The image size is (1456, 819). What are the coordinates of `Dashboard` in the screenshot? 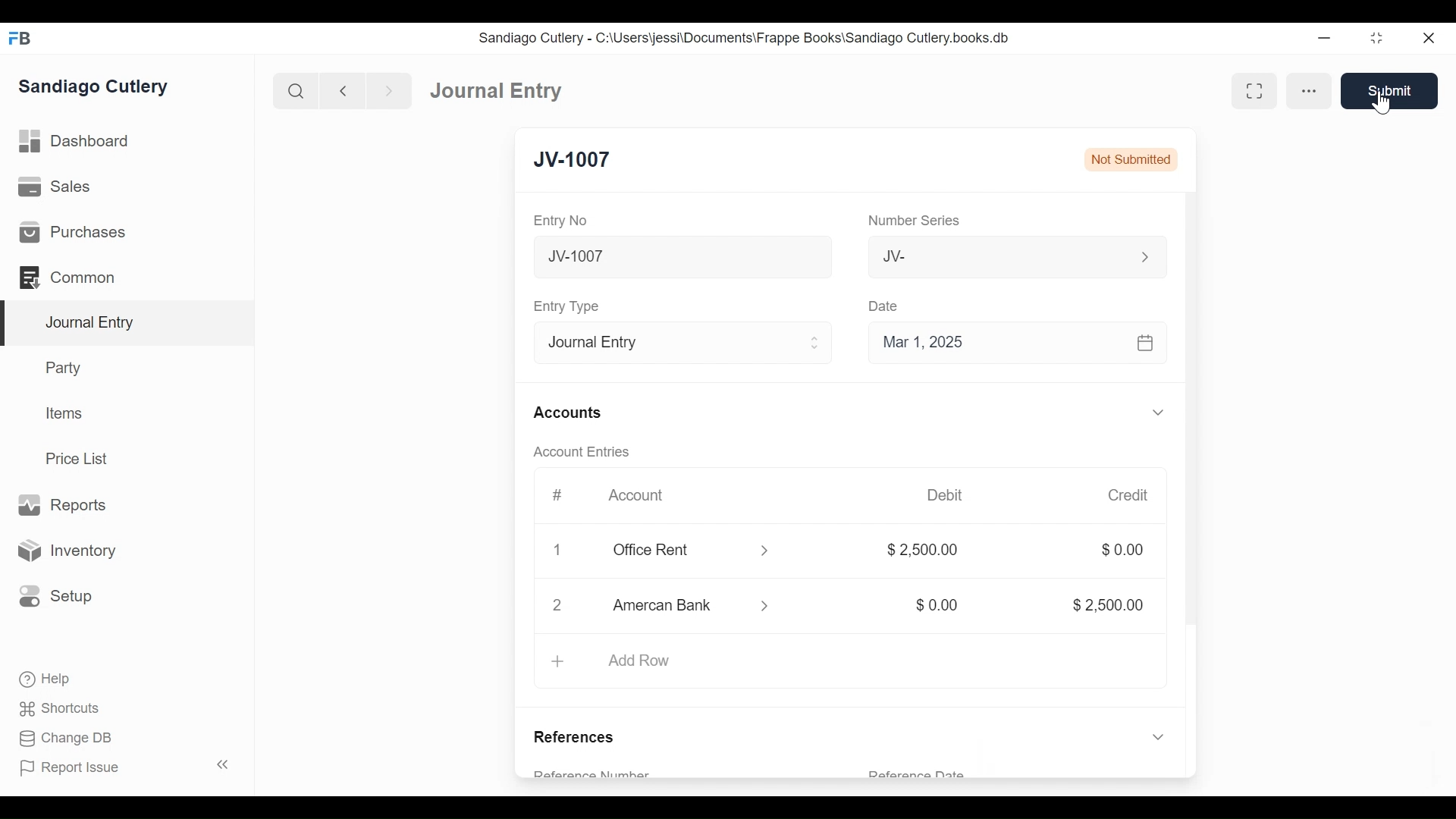 It's located at (491, 89).